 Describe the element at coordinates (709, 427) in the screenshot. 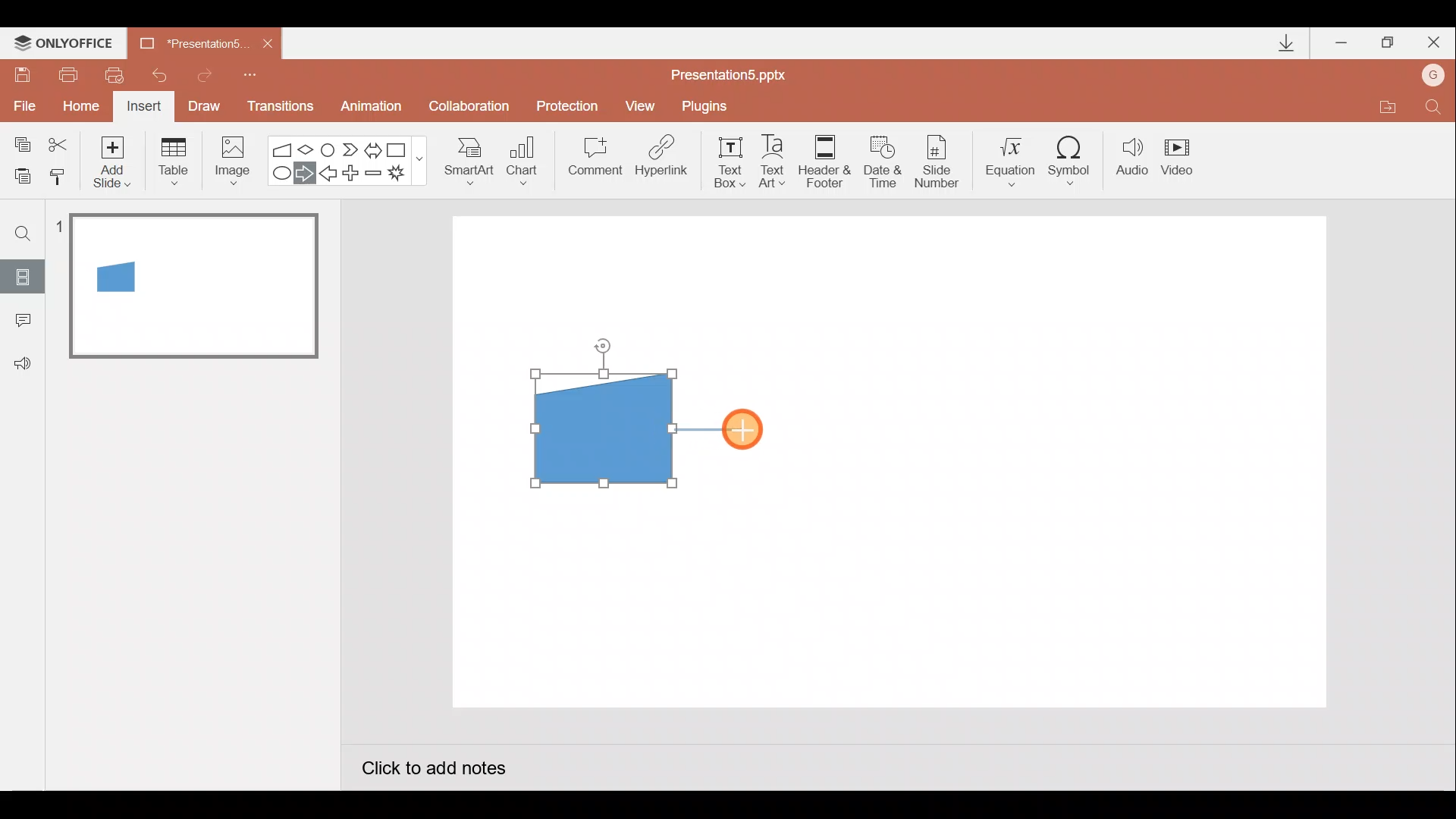

I see `Arrow` at that location.